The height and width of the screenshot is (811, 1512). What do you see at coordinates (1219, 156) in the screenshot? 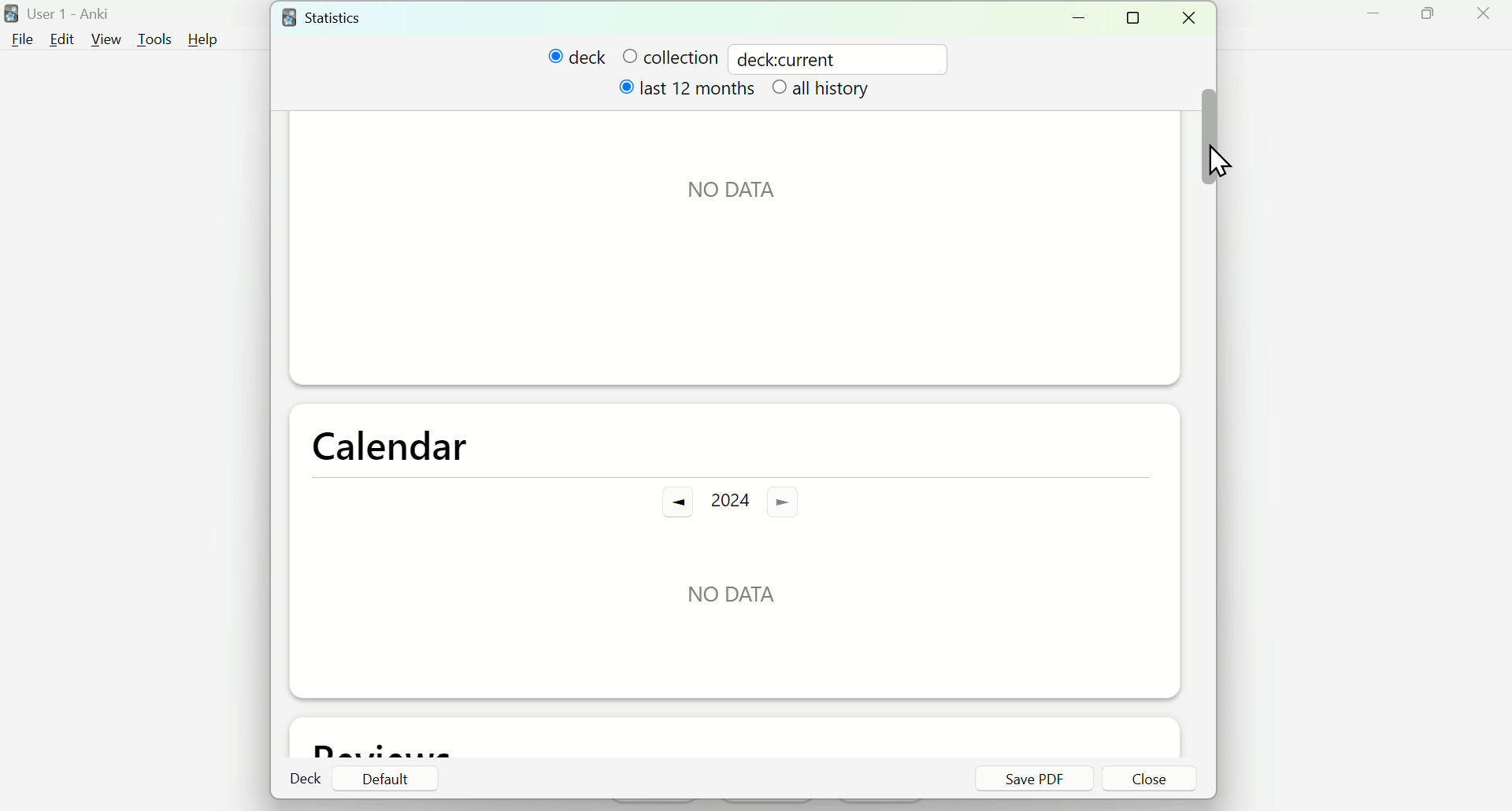
I see `cursor` at bounding box center [1219, 156].